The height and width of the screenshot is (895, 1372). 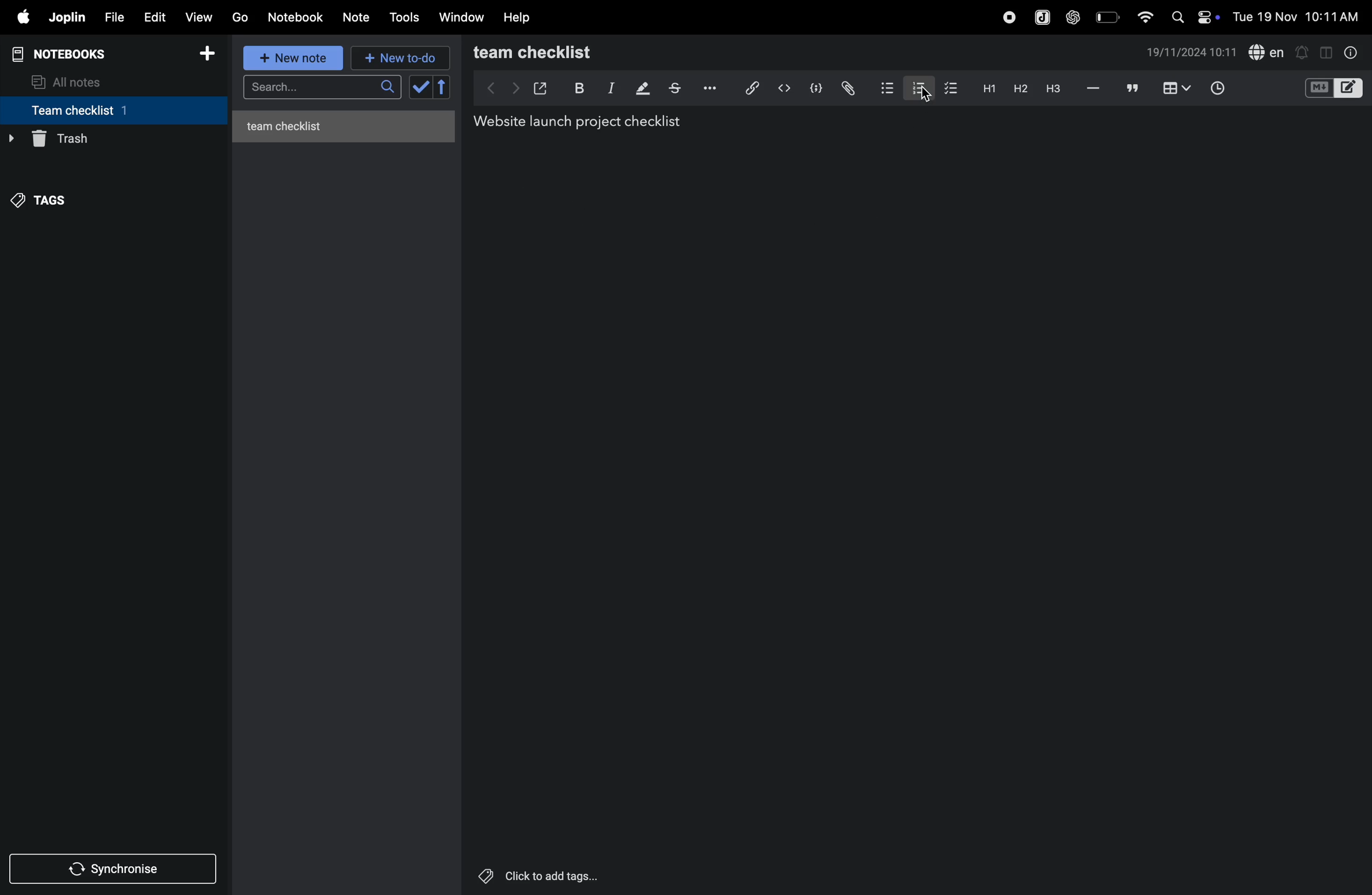 What do you see at coordinates (784, 88) in the screenshot?
I see `inline code` at bounding box center [784, 88].